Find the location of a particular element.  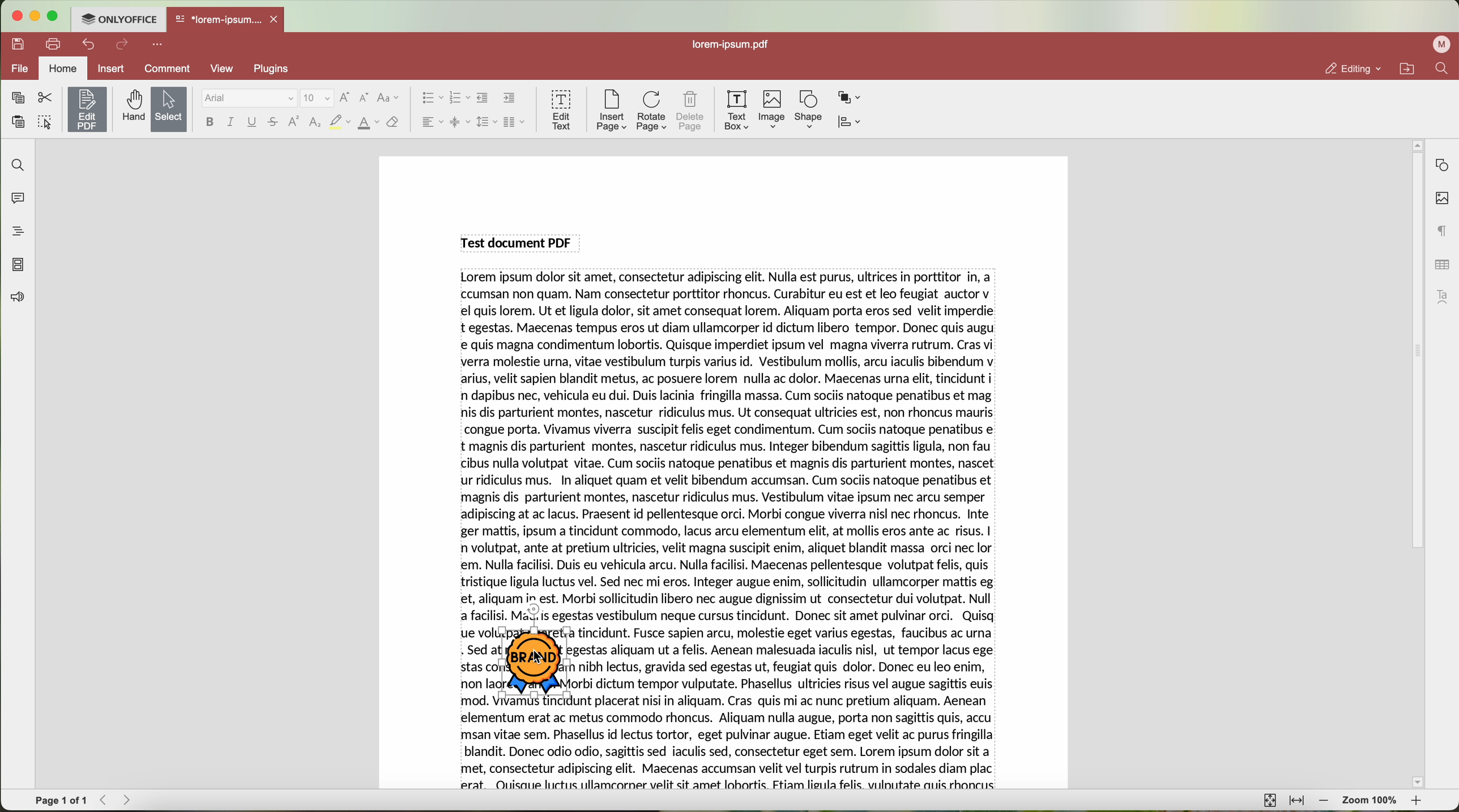

minimize is located at coordinates (34, 16).